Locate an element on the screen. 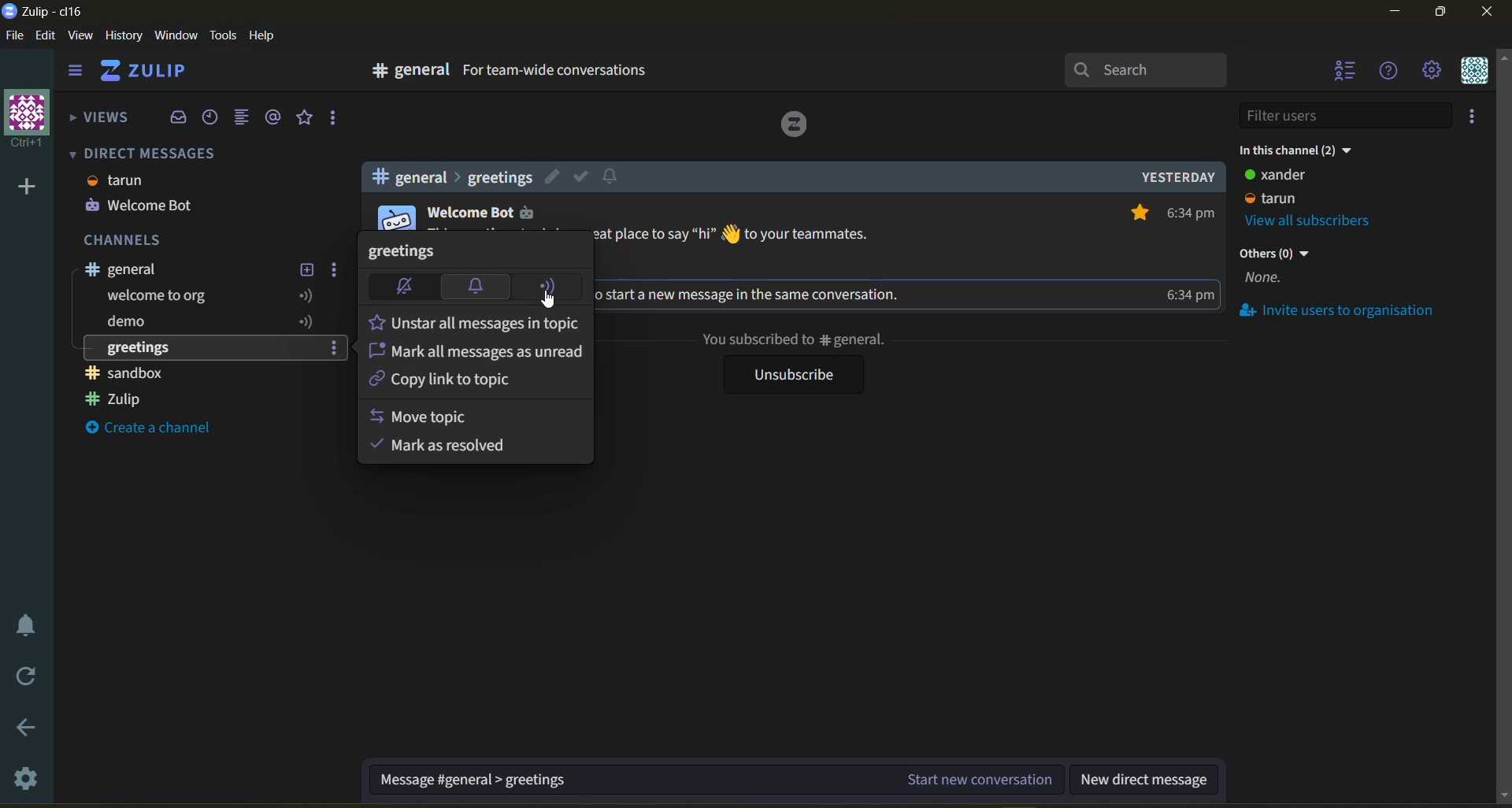  tarun is located at coordinates (122, 180).